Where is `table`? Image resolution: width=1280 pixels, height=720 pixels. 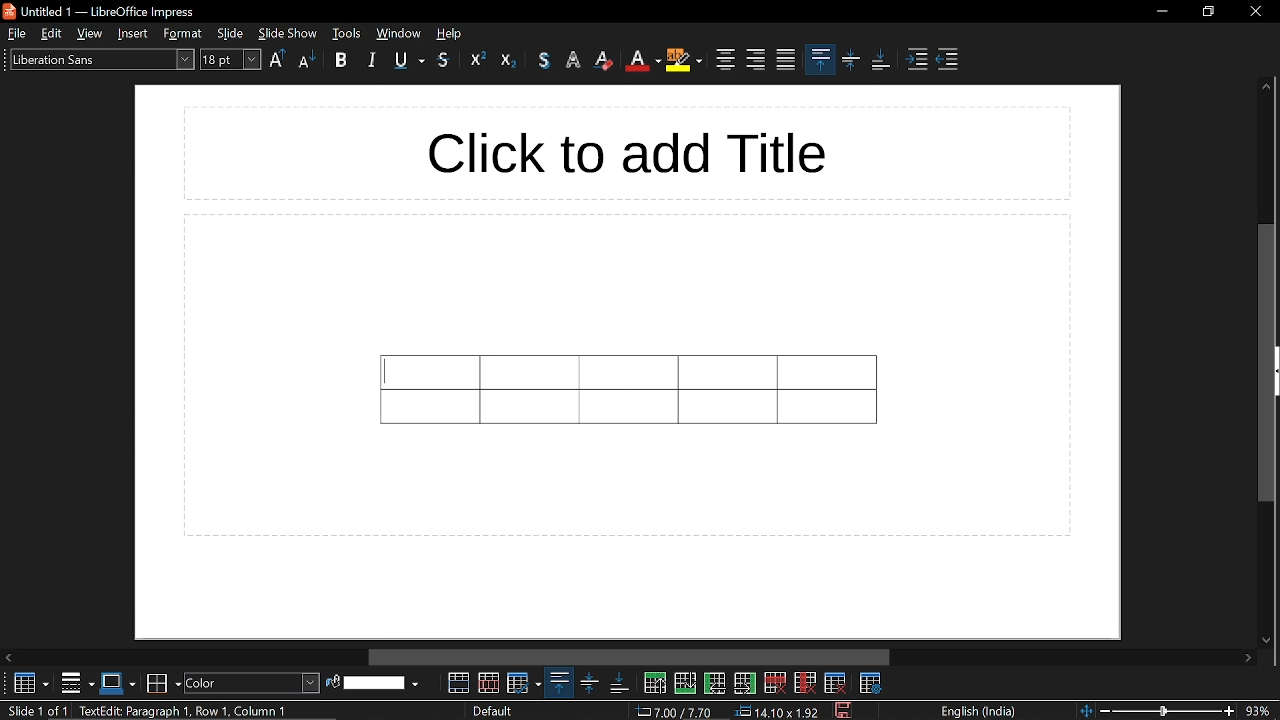
table is located at coordinates (629, 389).